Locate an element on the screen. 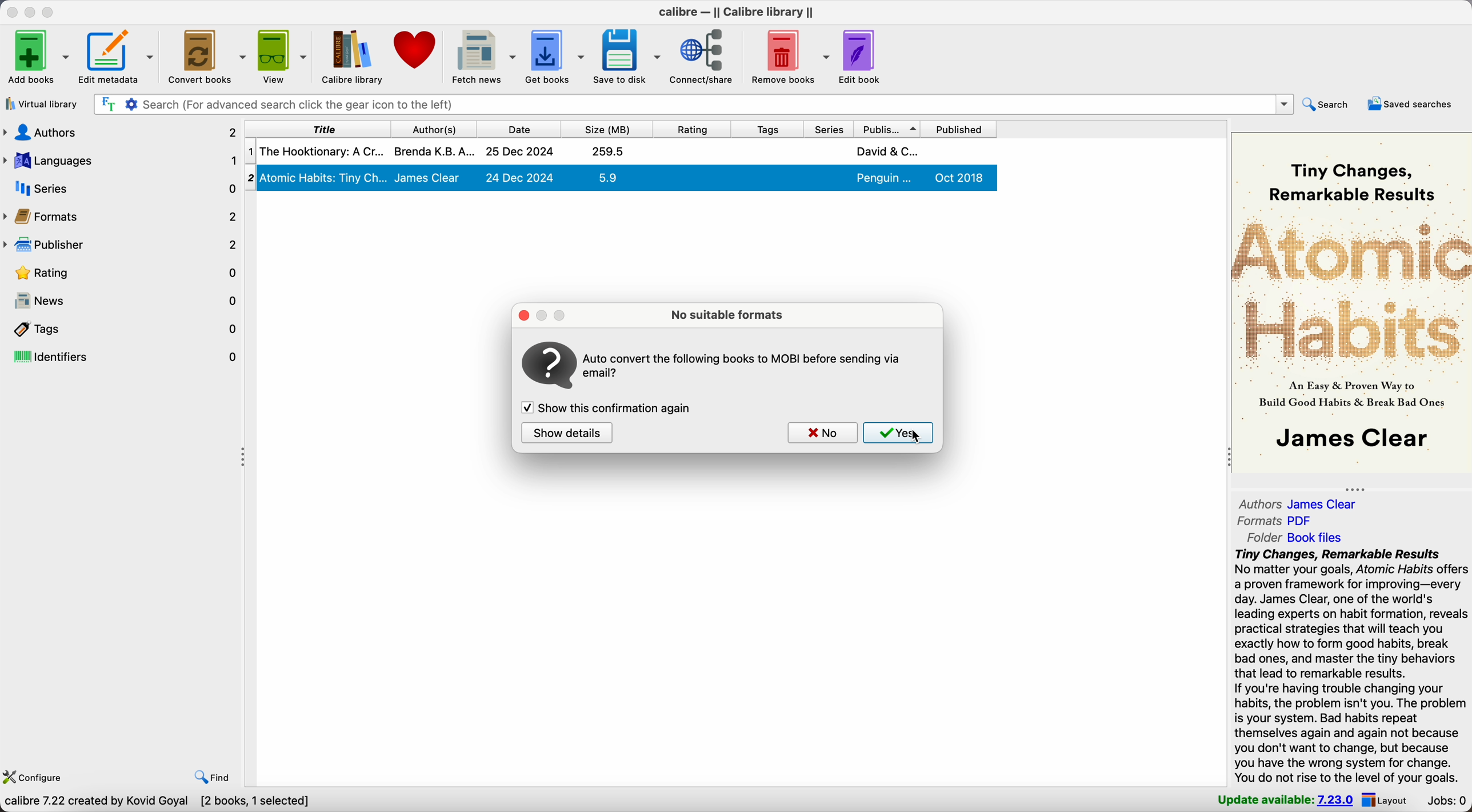 The image size is (1472, 812). Tiny Changes, Remarkable Results

No matter your goals, Atomic Habits offers
a proven framework for improving—every
day. James Clear, one of the world's
leading experts on habit formation, reveals
practical strategies that will teach you
exactly how to form good habits, break
bad ones, and master the tiny behaviors
that lead to remarkable results.

If you're having trouble changing your
habits, the problem isn't you. The problem
is your system. Bad habits repeat
themselves again and again not because
you don't want to change, but because
you have the wrong system for change.
You do not rise to the level of your goals. is located at coordinates (1350, 667).